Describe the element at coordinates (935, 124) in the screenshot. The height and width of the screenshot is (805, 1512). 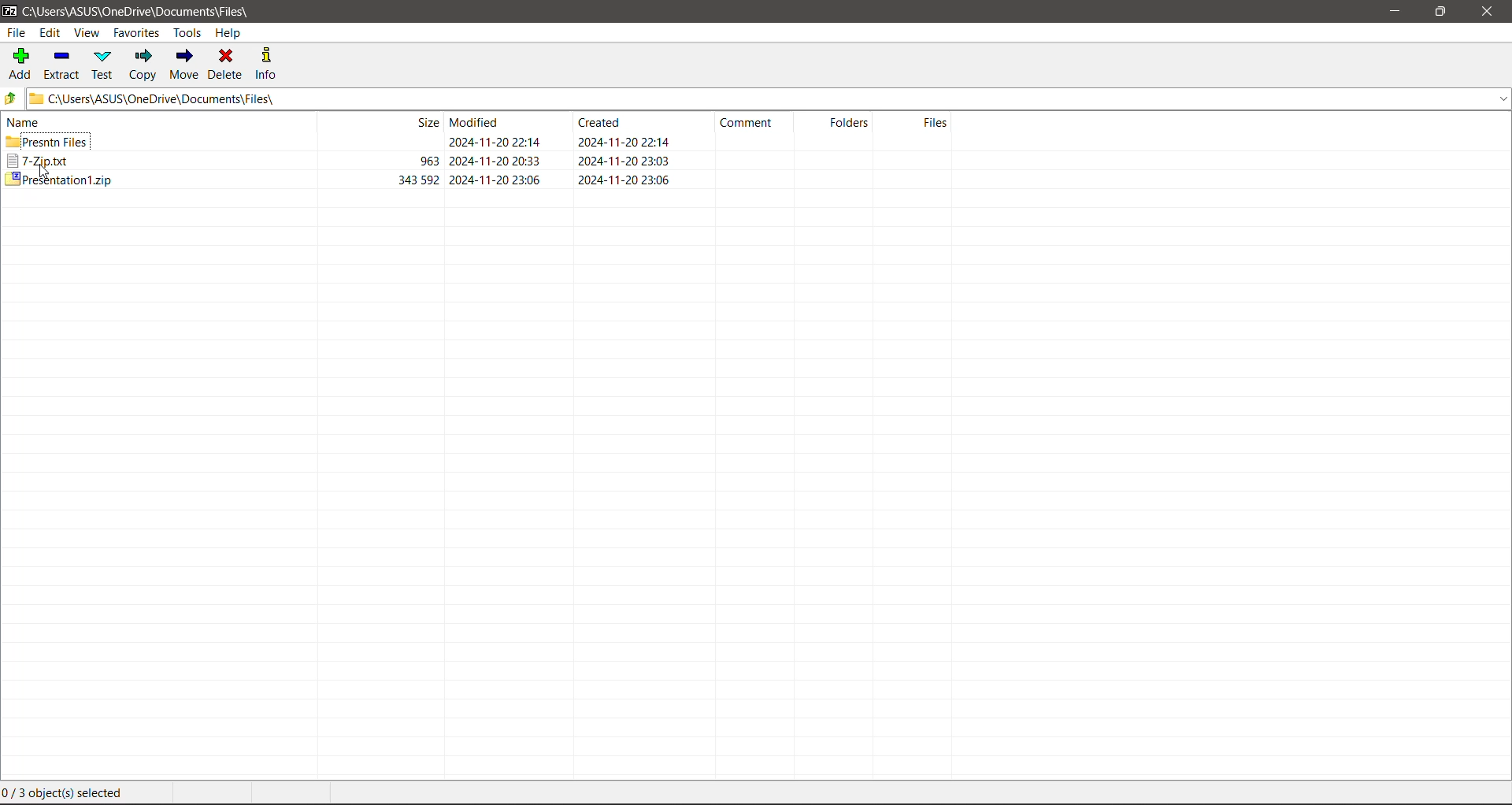
I see `Files` at that location.